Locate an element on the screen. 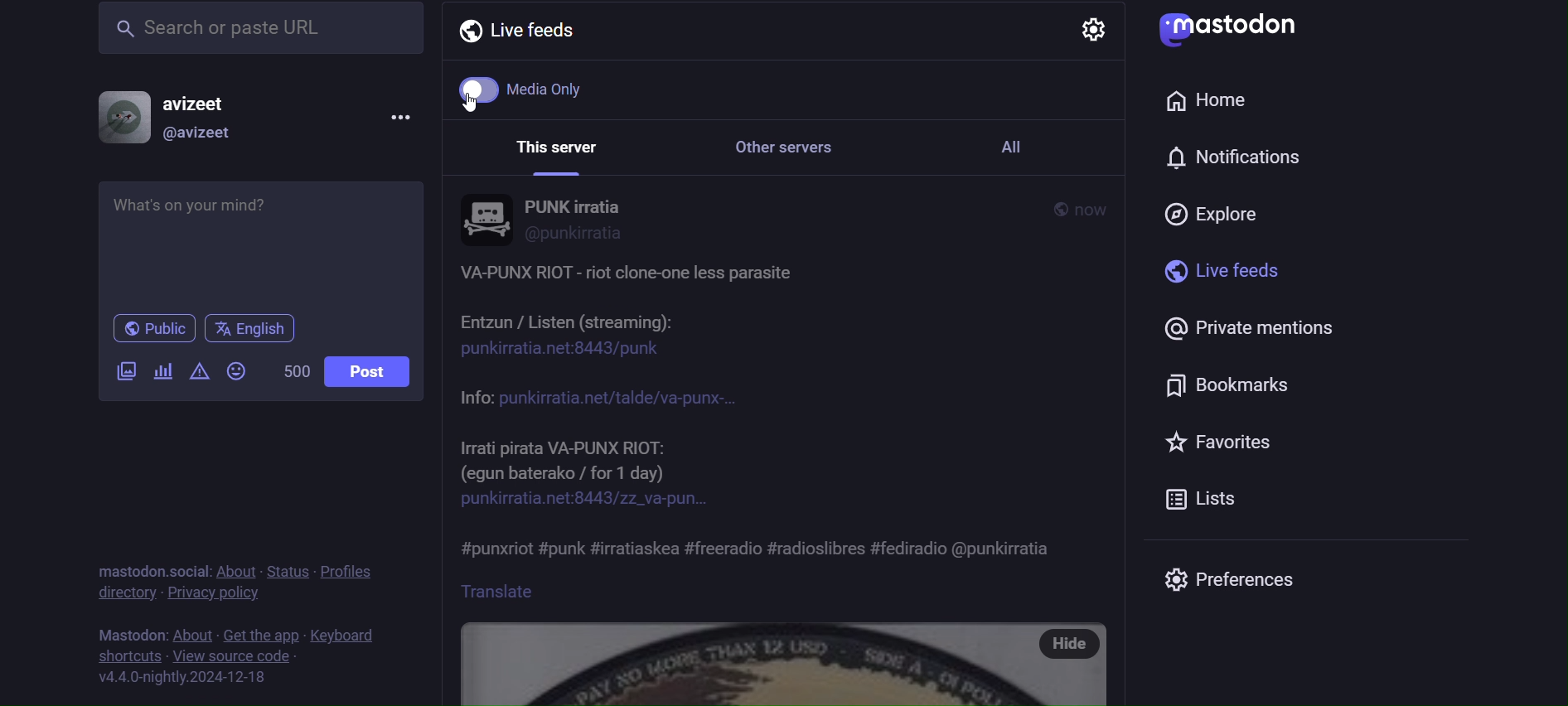 This screenshot has width=1568, height=706. add image is located at coordinates (123, 372).